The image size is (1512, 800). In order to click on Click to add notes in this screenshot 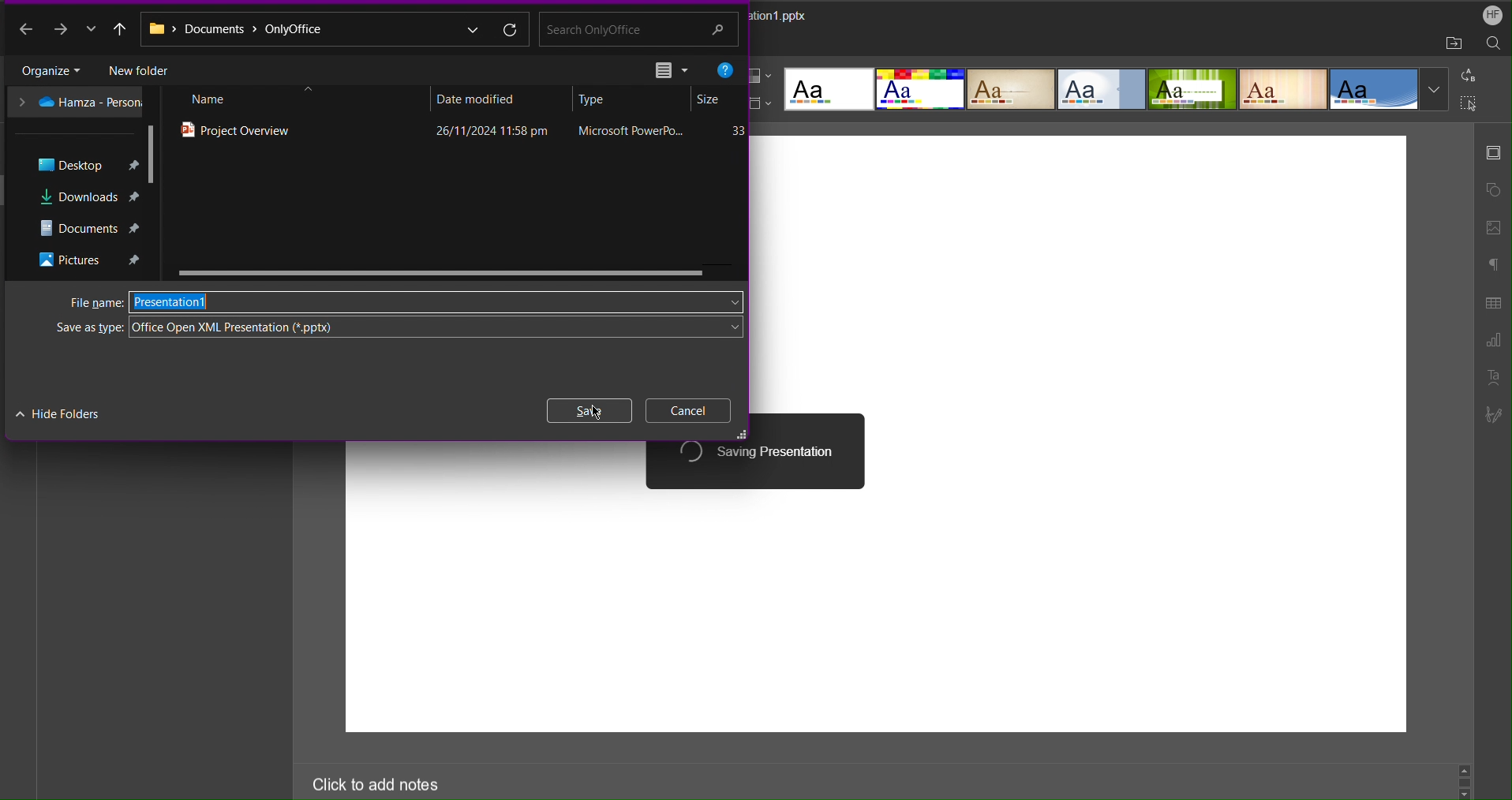, I will do `click(372, 785)`.